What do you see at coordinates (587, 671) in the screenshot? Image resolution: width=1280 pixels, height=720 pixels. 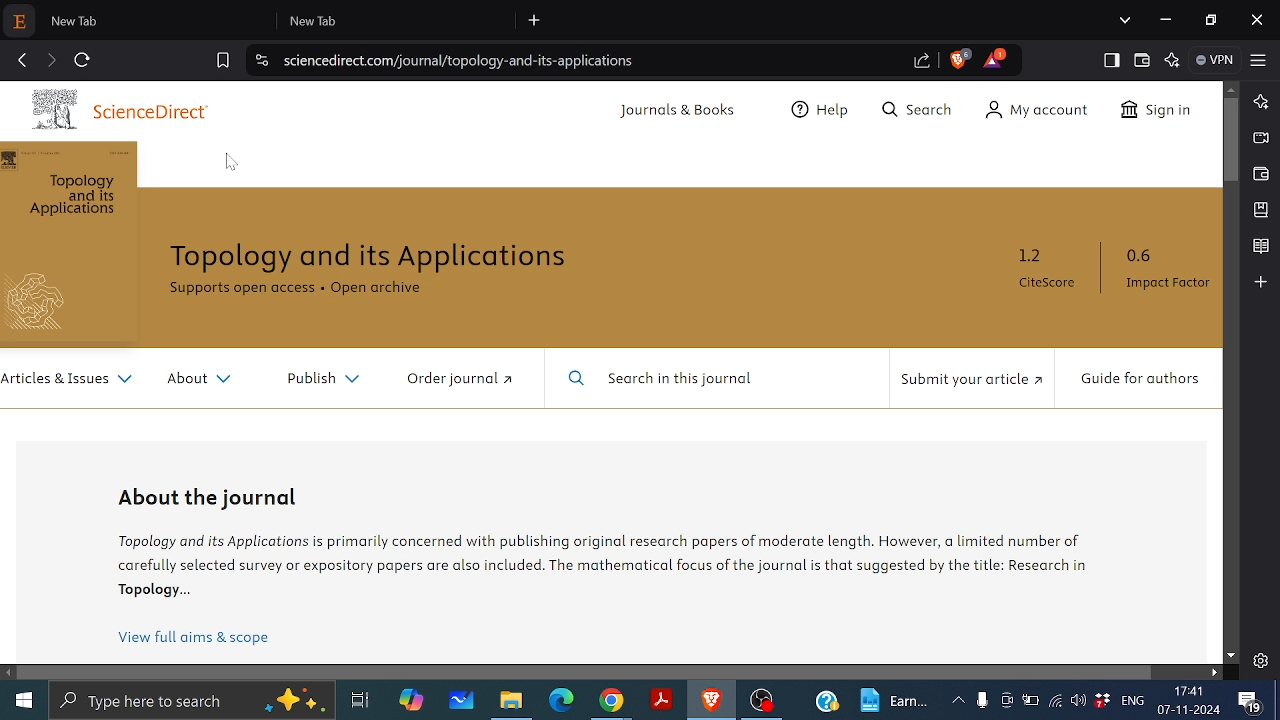 I see `horizontal sidebar` at bounding box center [587, 671].